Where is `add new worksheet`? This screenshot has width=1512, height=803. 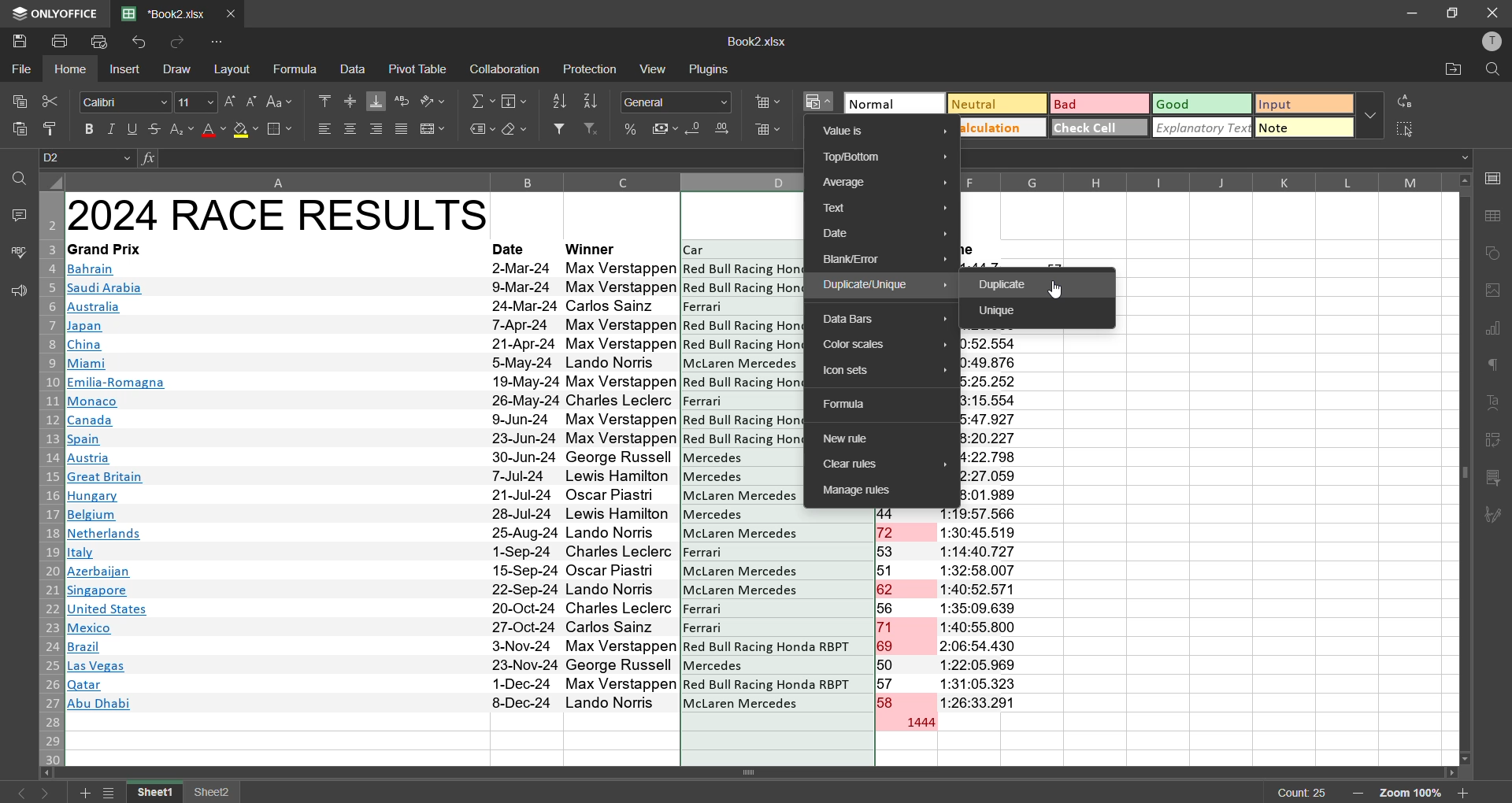
add new worksheet is located at coordinates (82, 793).